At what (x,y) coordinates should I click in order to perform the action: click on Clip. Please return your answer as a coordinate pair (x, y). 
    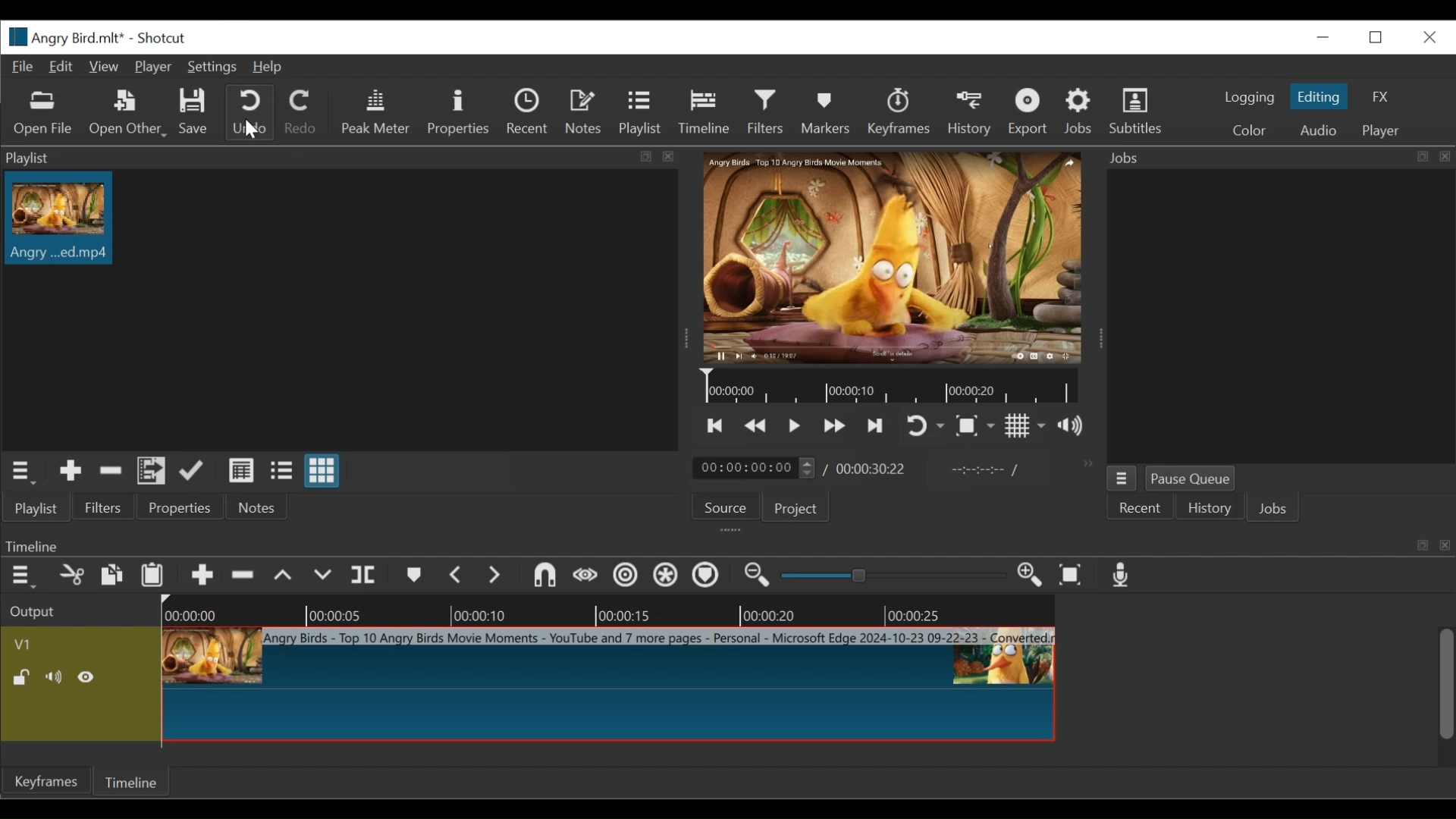
    Looking at the image, I should click on (609, 683).